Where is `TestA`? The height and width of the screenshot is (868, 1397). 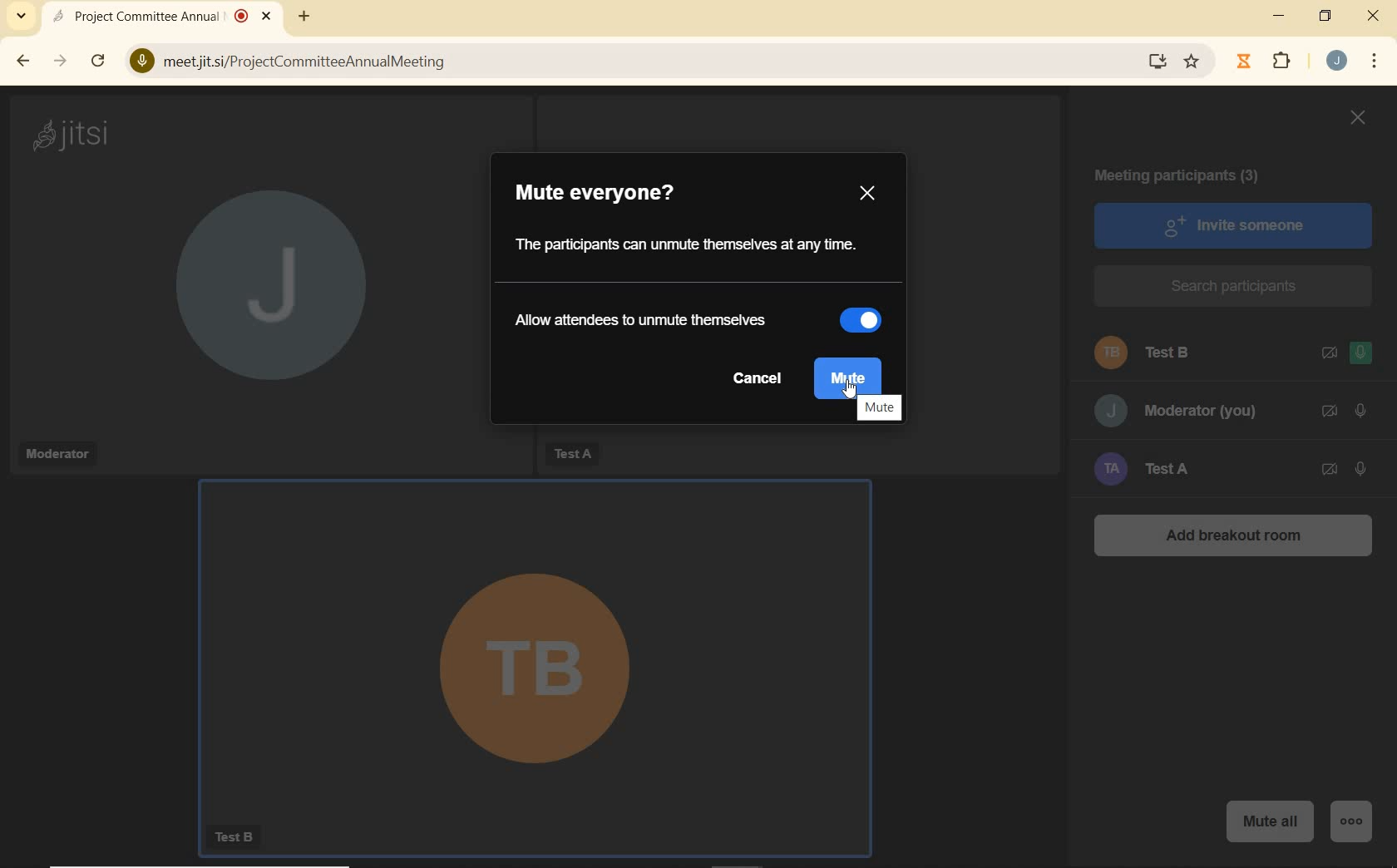 TestA is located at coordinates (570, 451).